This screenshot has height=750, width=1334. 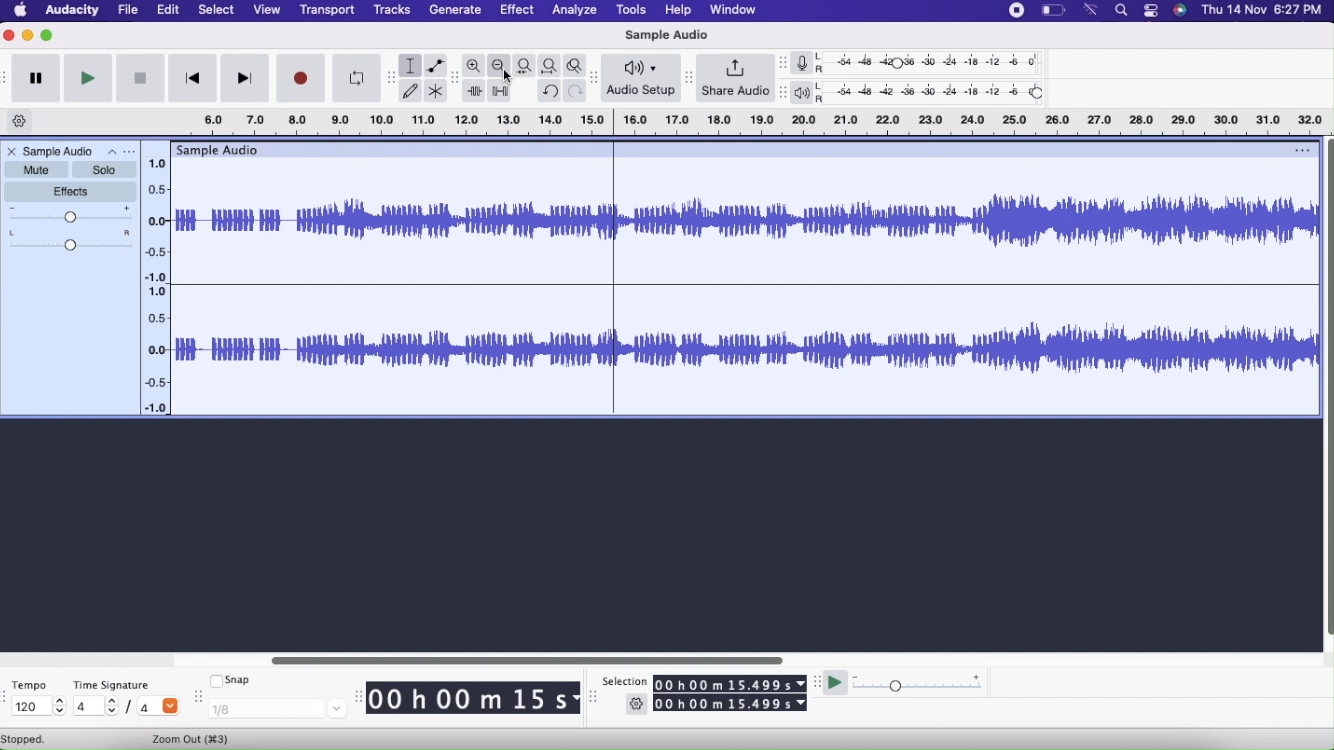 I want to click on Minimize, so click(x=28, y=35).